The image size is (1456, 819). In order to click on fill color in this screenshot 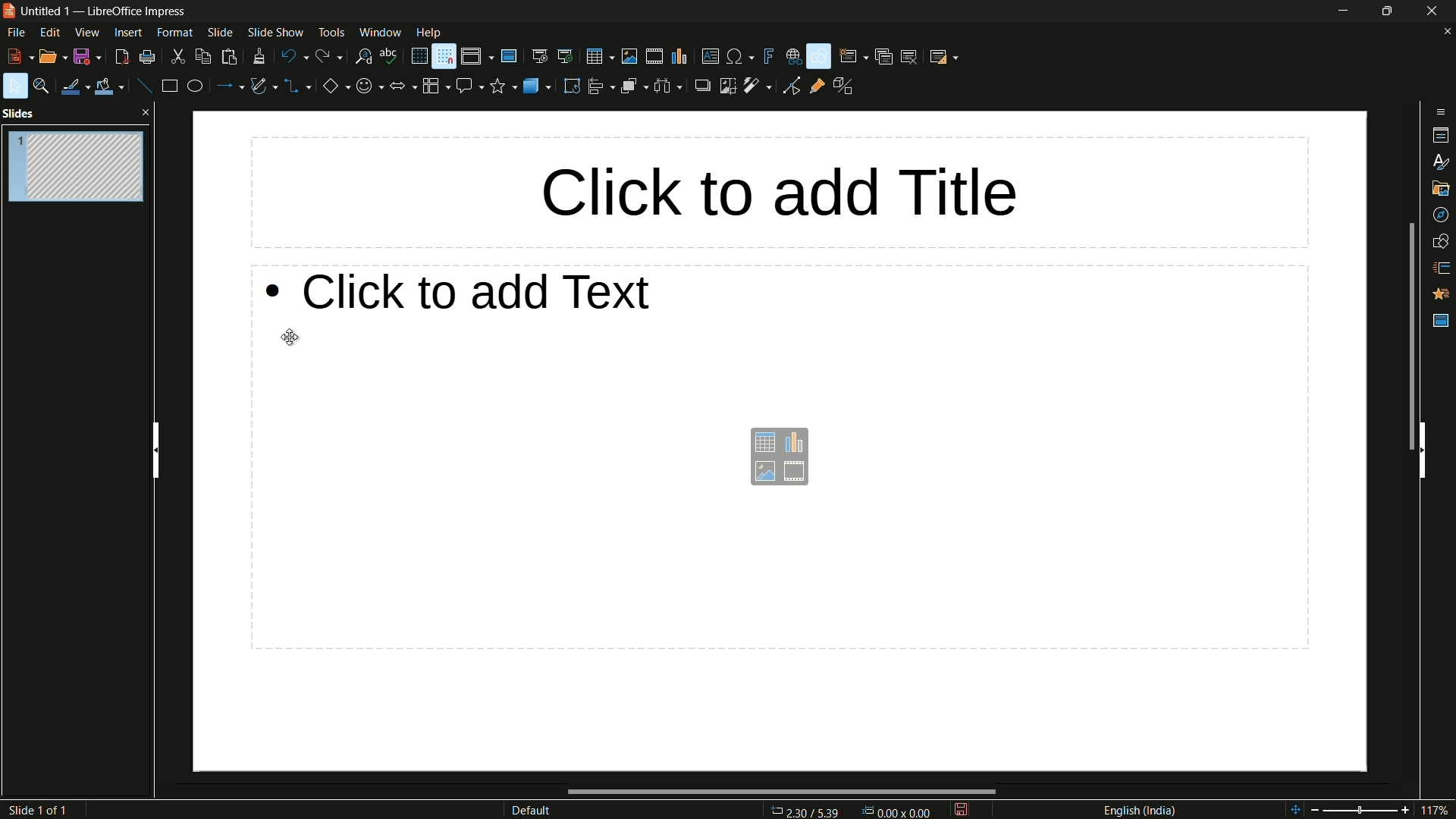, I will do `click(110, 86)`.